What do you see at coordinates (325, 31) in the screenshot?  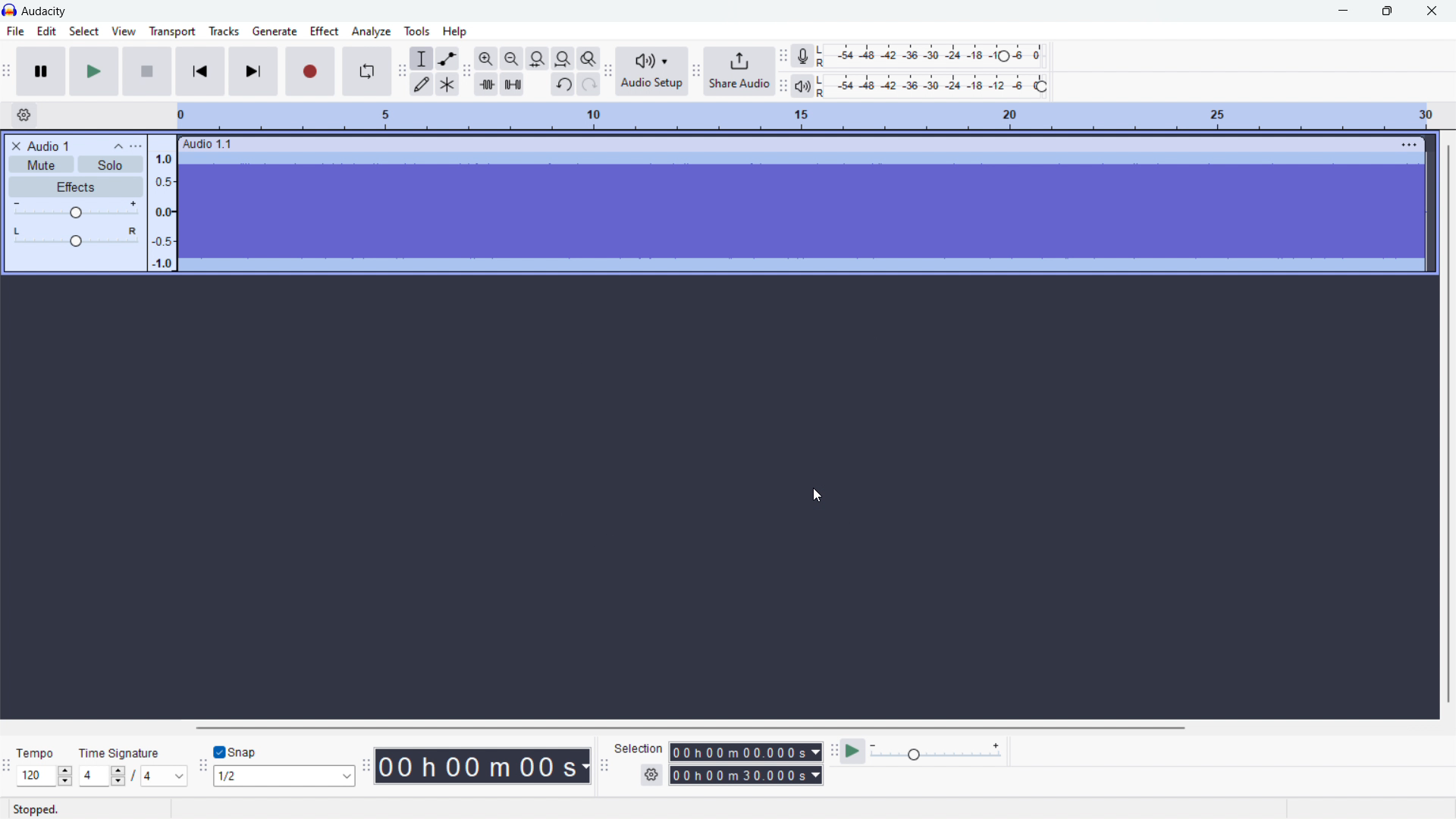 I see `effect` at bounding box center [325, 31].